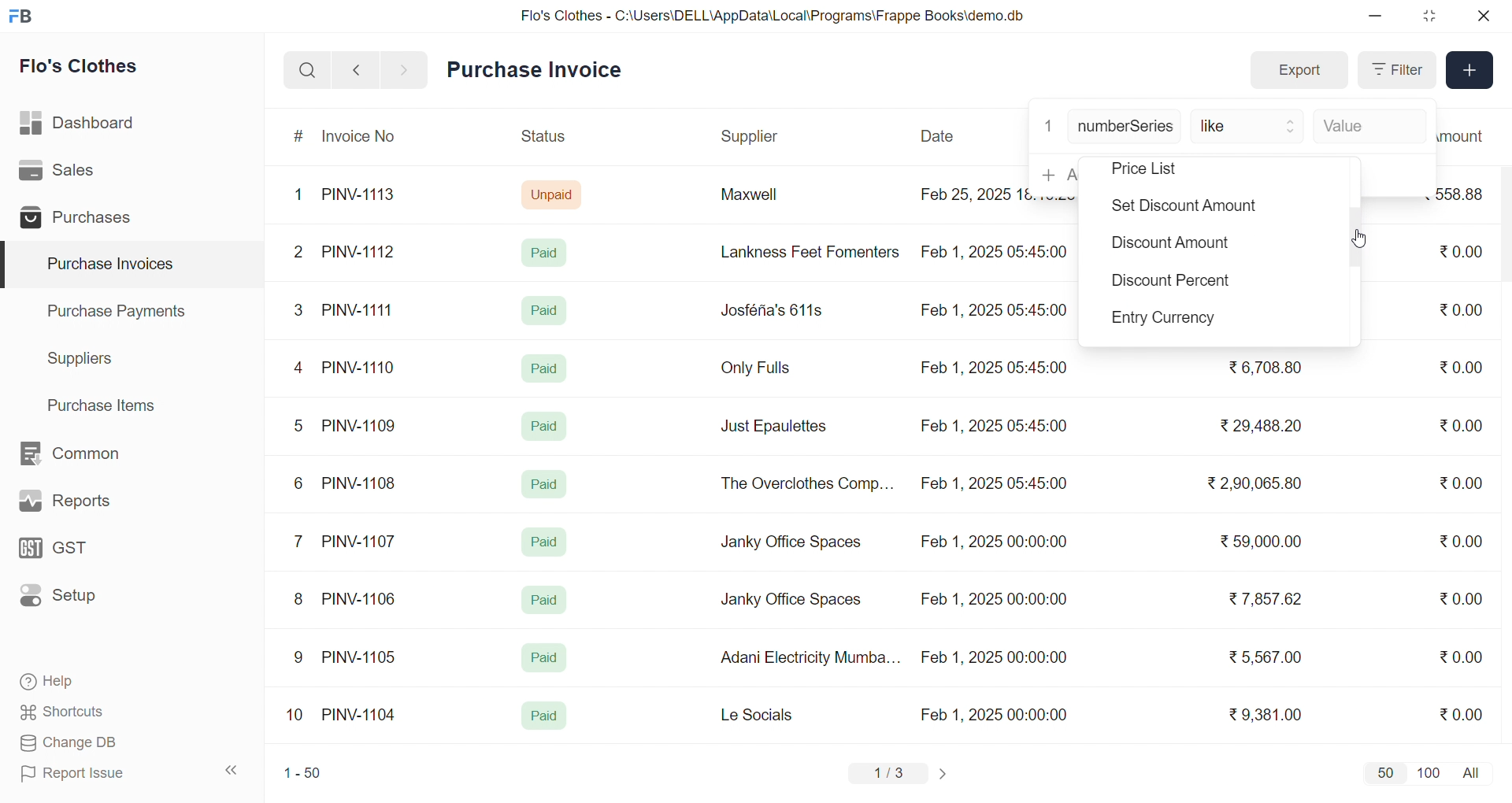 This screenshot has height=803, width=1512. Describe the element at coordinates (356, 69) in the screenshot. I see `navigate backward` at that location.